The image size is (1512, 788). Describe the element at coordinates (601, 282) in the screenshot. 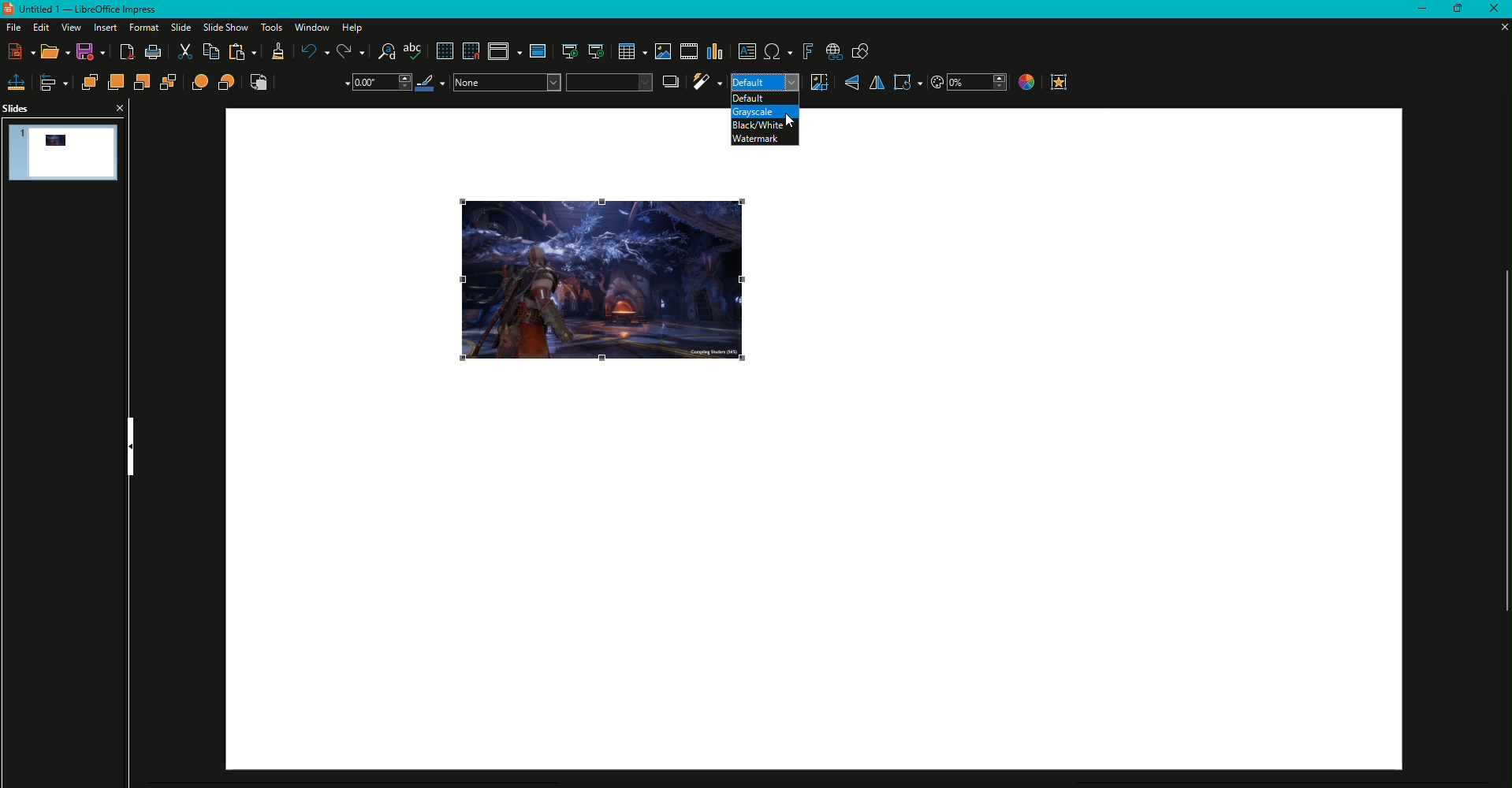

I see `Image` at that location.